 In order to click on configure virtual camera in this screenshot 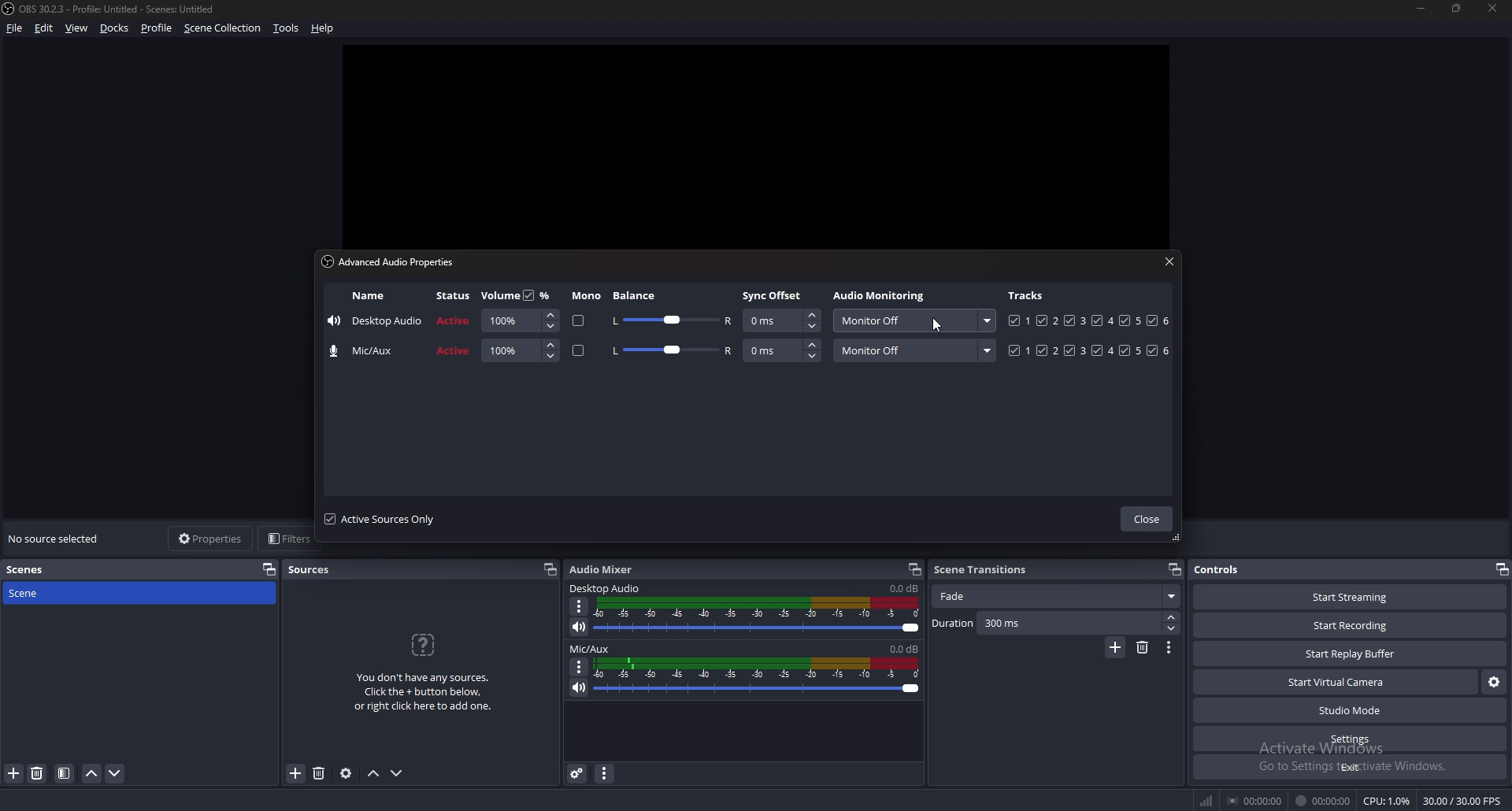, I will do `click(1494, 683)`.